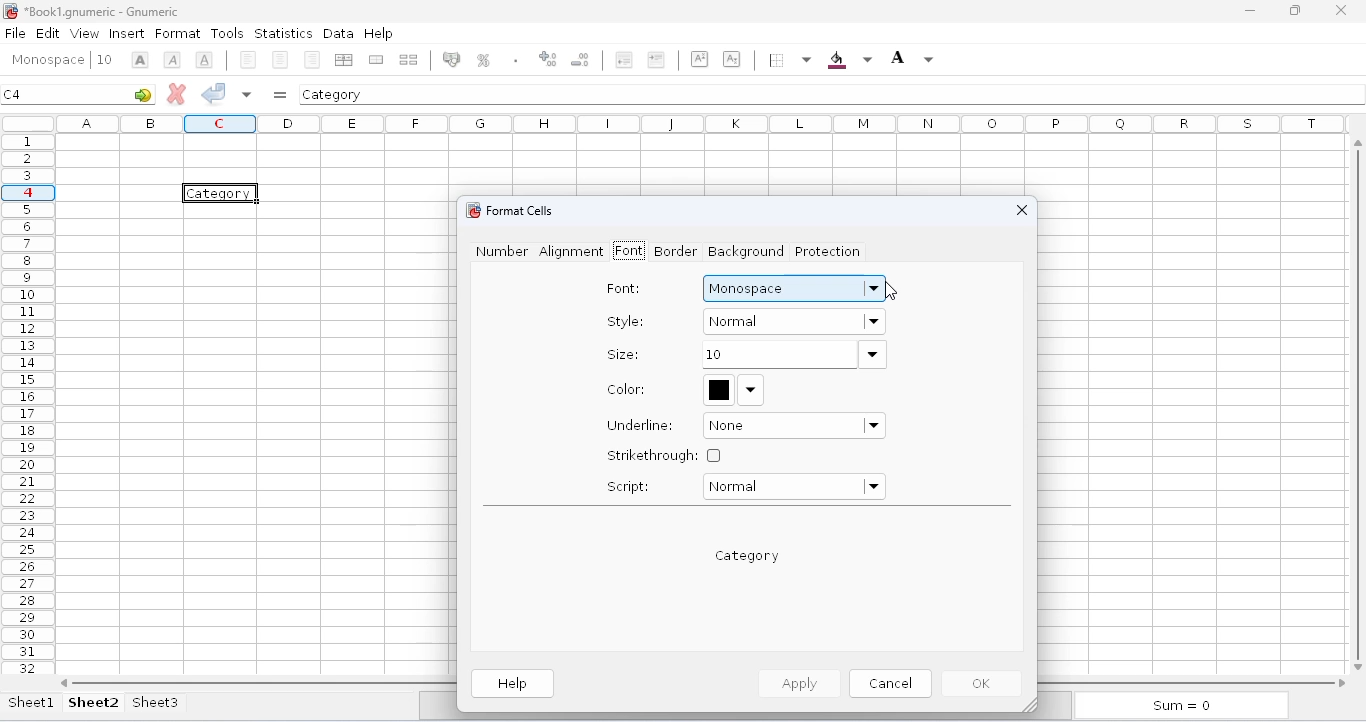 The image size is (1366, 722). What do you see at coordinates (143, 94) in the screenshot?
I see `go-to` at bounding box center [143, 94].